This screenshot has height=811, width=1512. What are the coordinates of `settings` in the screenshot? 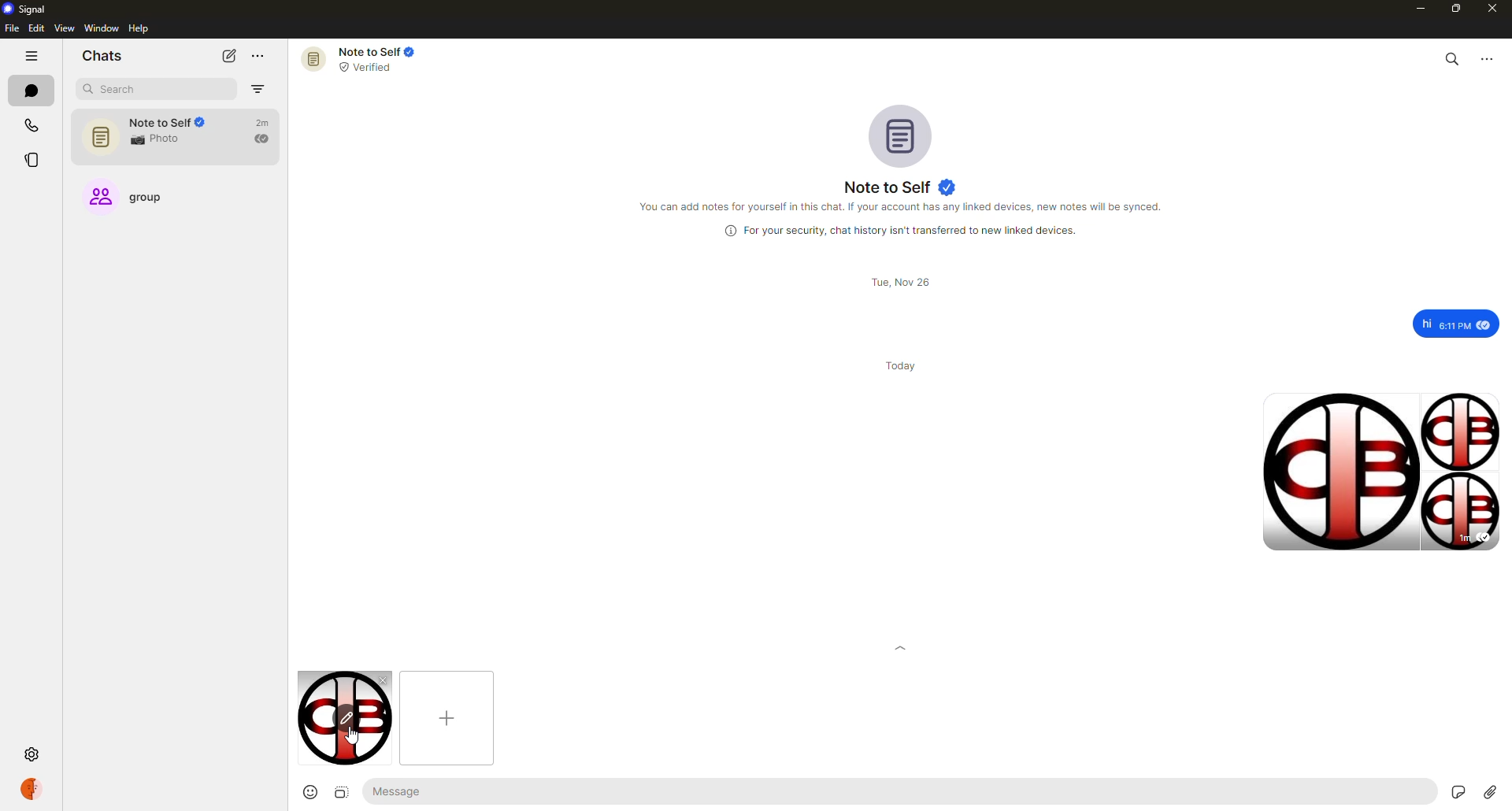 It's located at (31, 755).